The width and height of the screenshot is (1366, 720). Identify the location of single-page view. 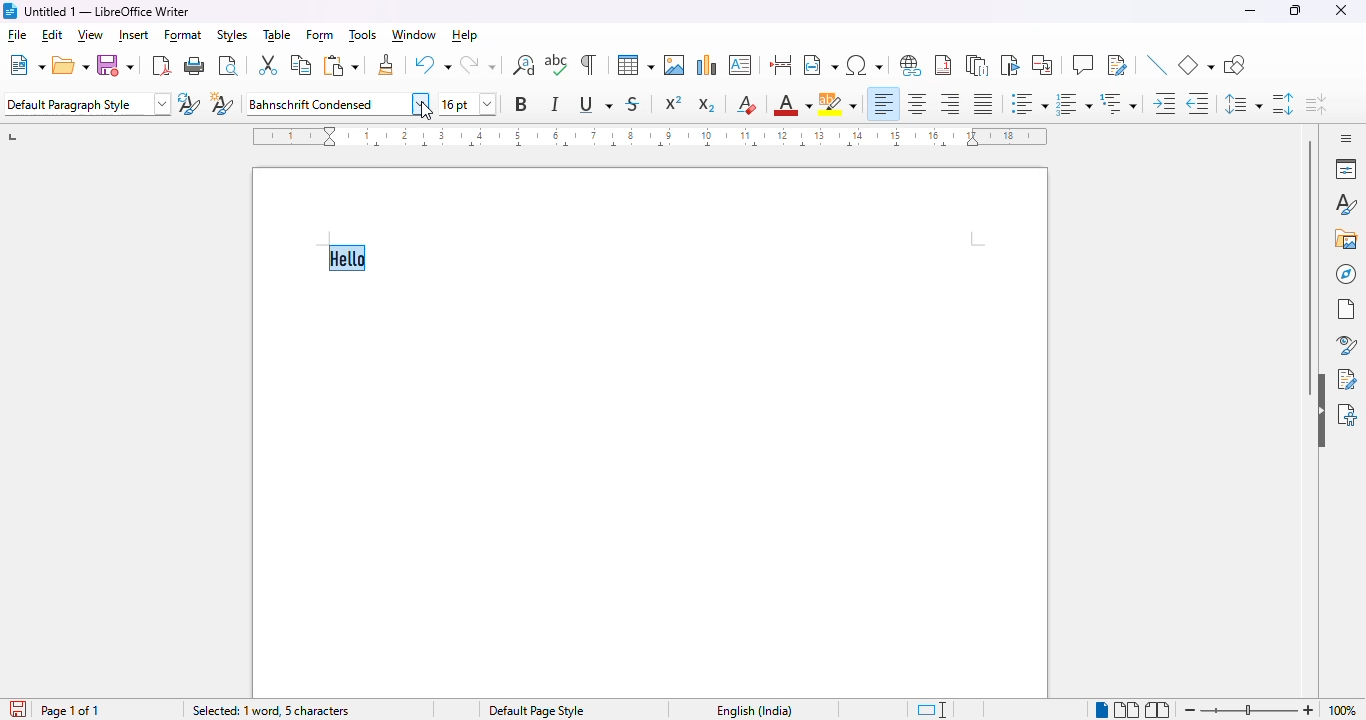
(1100, 709).